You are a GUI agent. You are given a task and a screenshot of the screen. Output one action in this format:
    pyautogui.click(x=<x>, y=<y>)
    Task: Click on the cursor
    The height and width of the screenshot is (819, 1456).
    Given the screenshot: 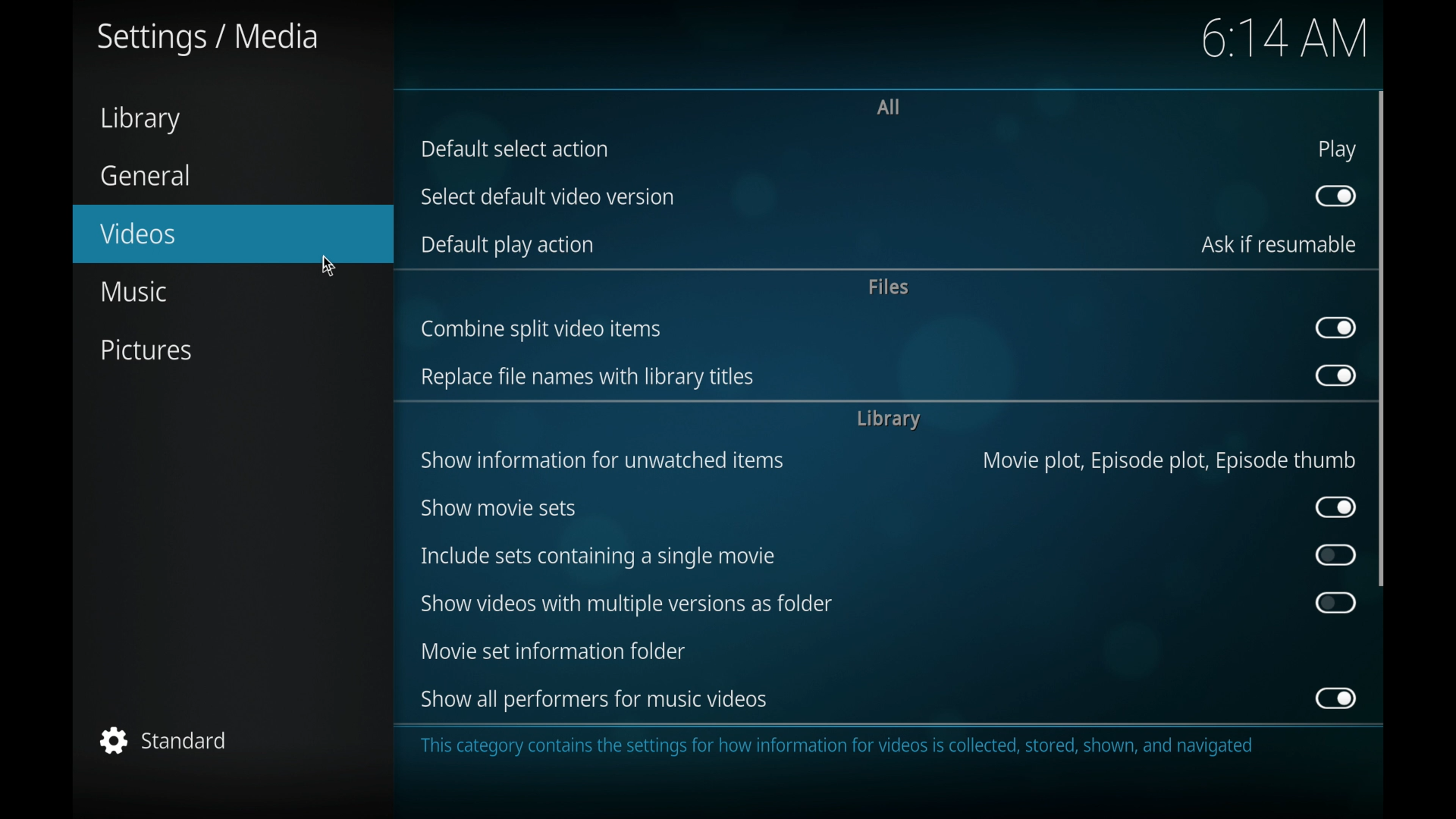 What is the action you would take?
    pyautogui.click(x=328, y=266)
    